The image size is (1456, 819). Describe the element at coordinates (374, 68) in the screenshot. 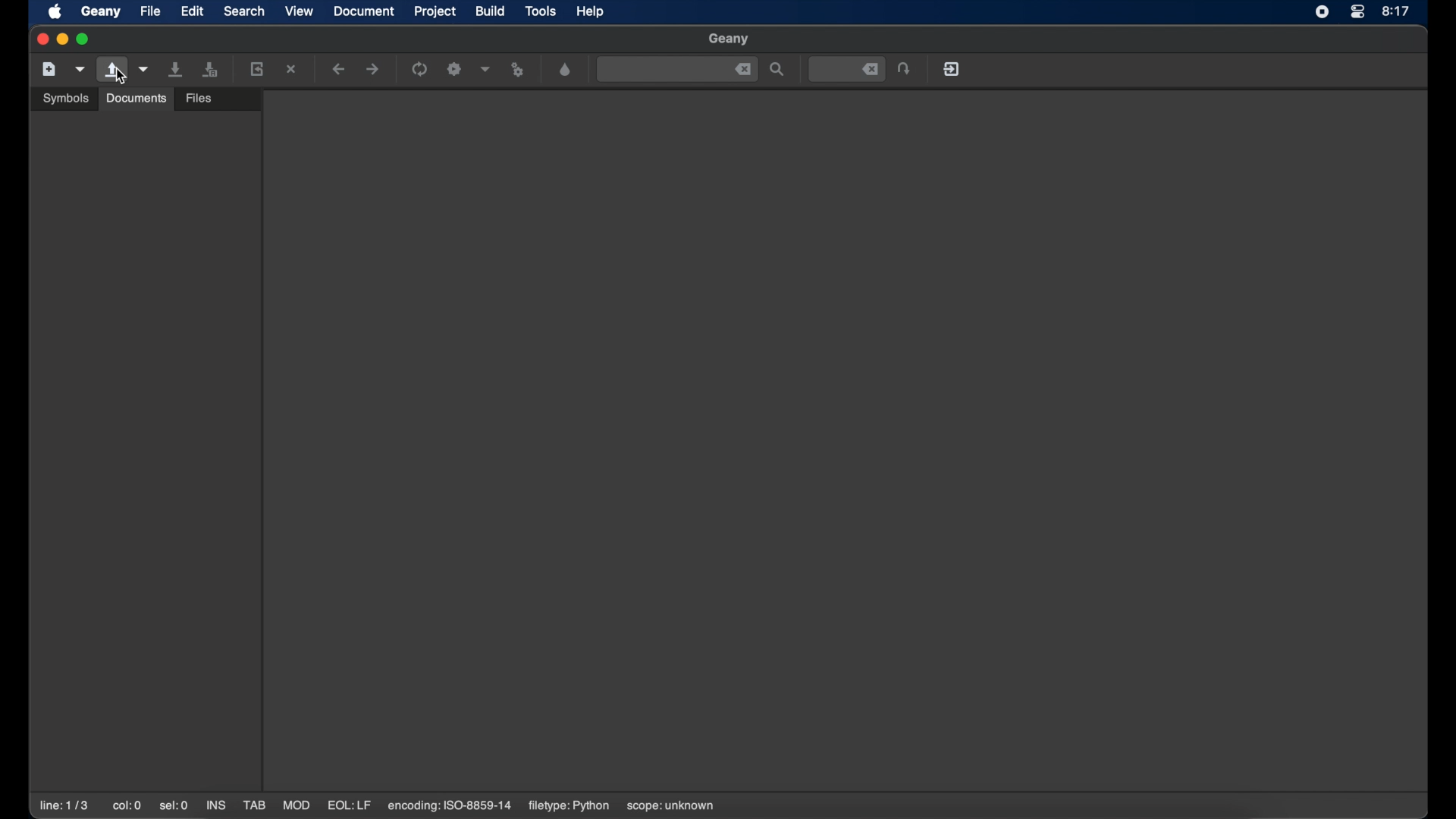

I see `navigate forward a location` at that location.